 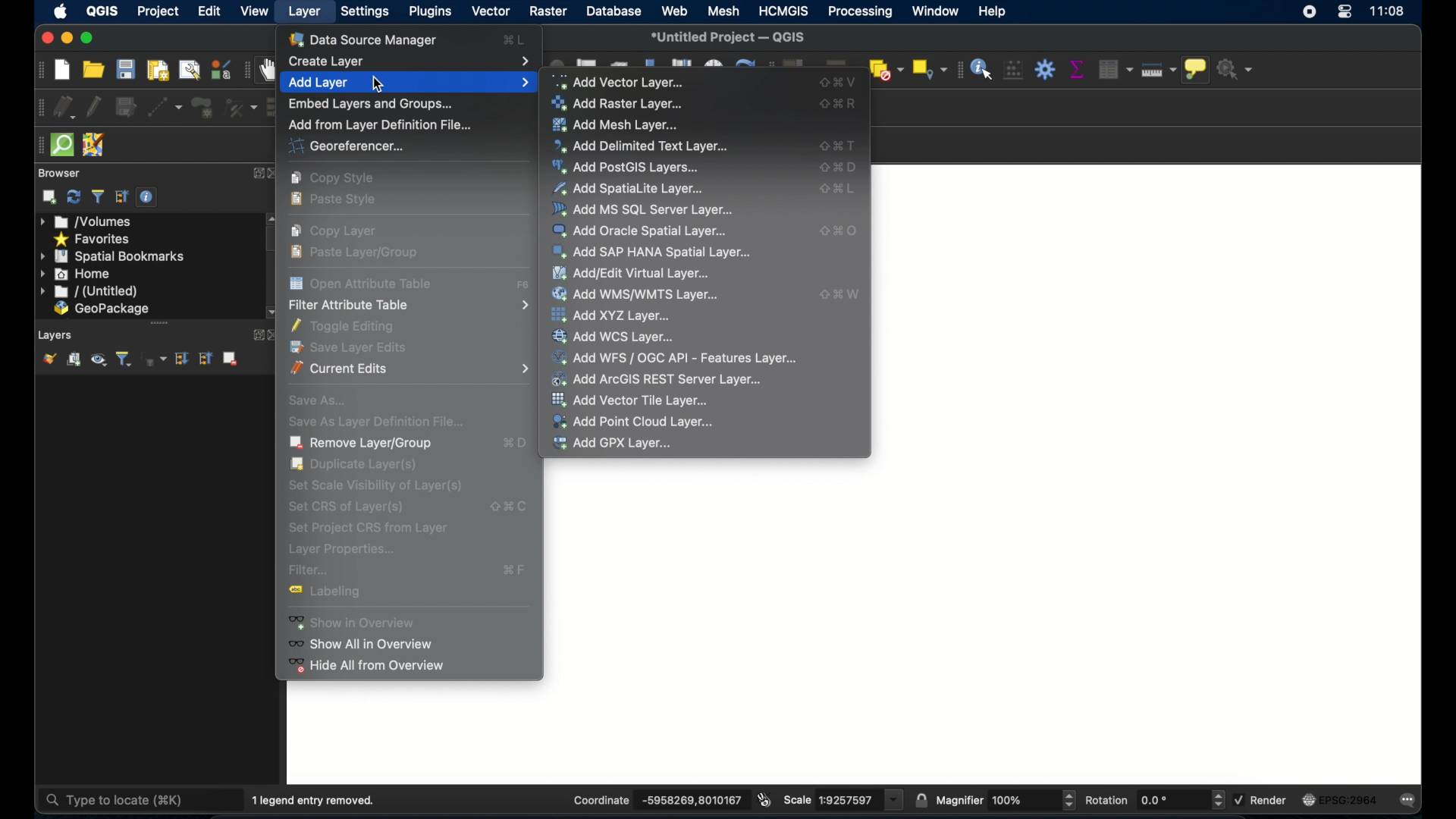 I want to click on remove layer group, so click(x=362, y=443).